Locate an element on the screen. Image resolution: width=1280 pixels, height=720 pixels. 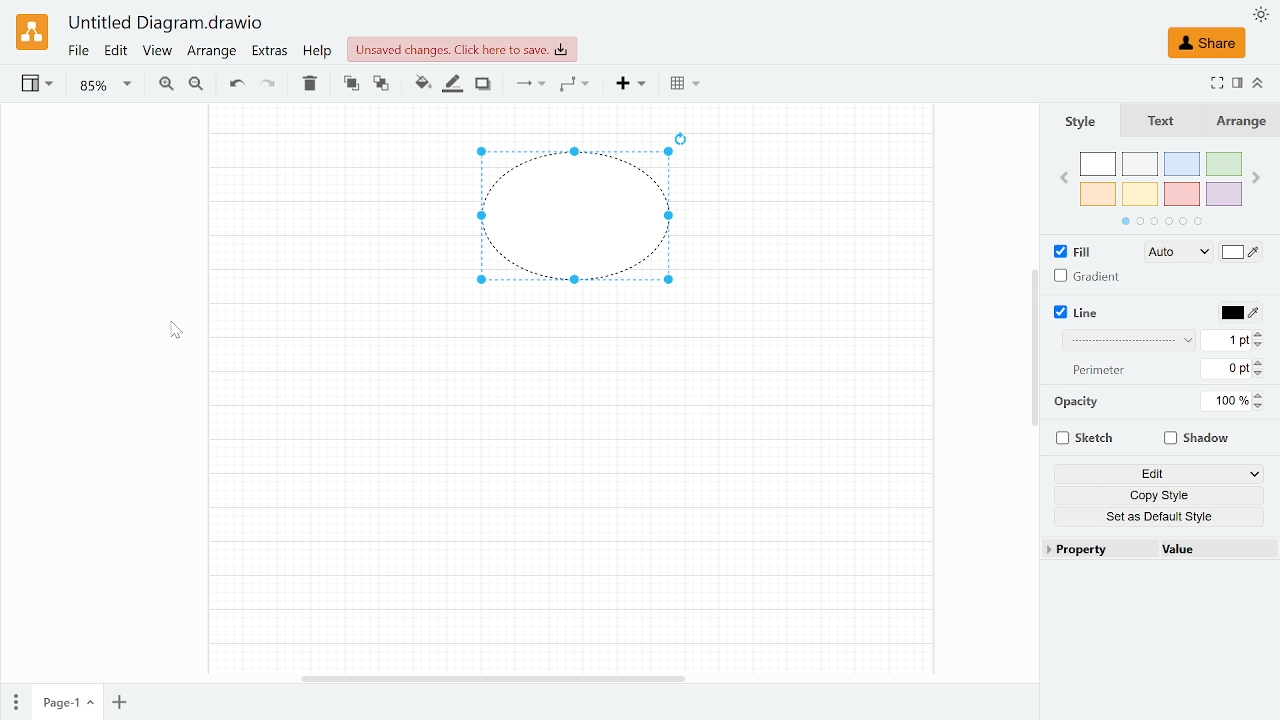
Value is located at coordinates (1207, 550).